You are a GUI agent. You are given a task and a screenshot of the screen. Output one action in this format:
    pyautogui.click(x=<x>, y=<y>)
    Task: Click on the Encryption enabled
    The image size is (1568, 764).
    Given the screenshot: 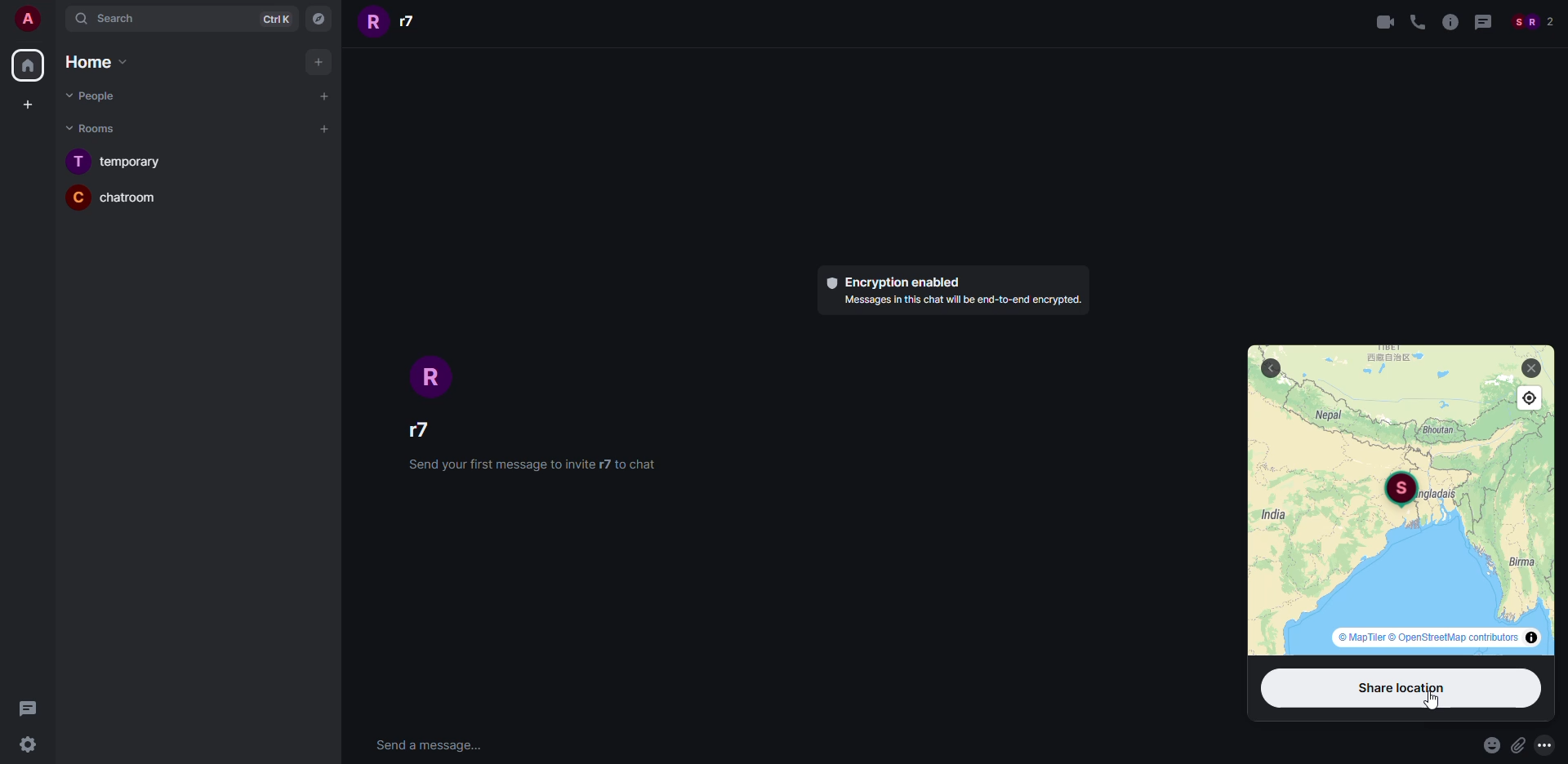 What is the action you would take?
    pyautogui.click(x=893, y=282)
    